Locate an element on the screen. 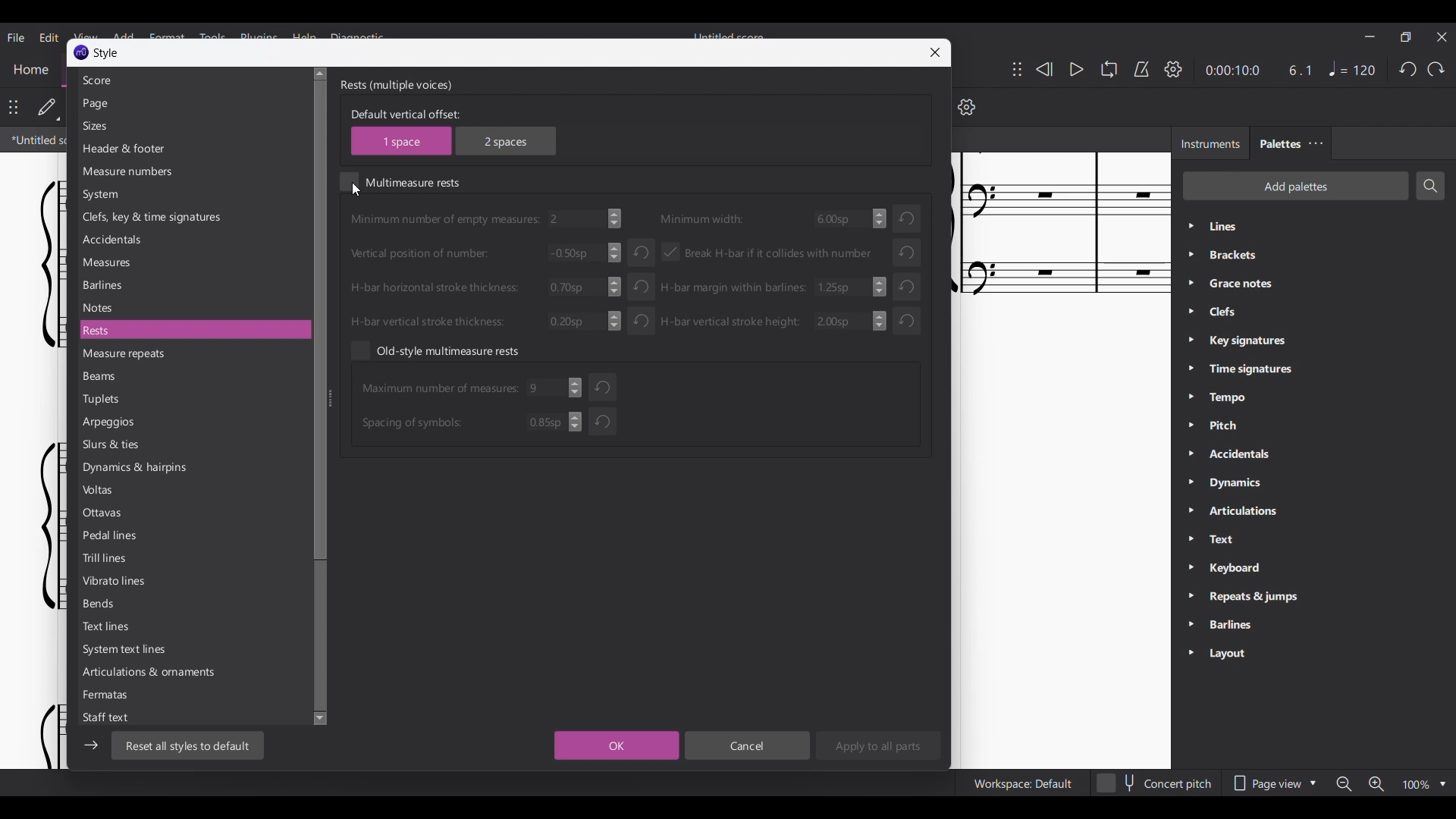 The image size is (1456, 819). Vertical slide bar for list of all Styles is located at coordinates (319, 397).